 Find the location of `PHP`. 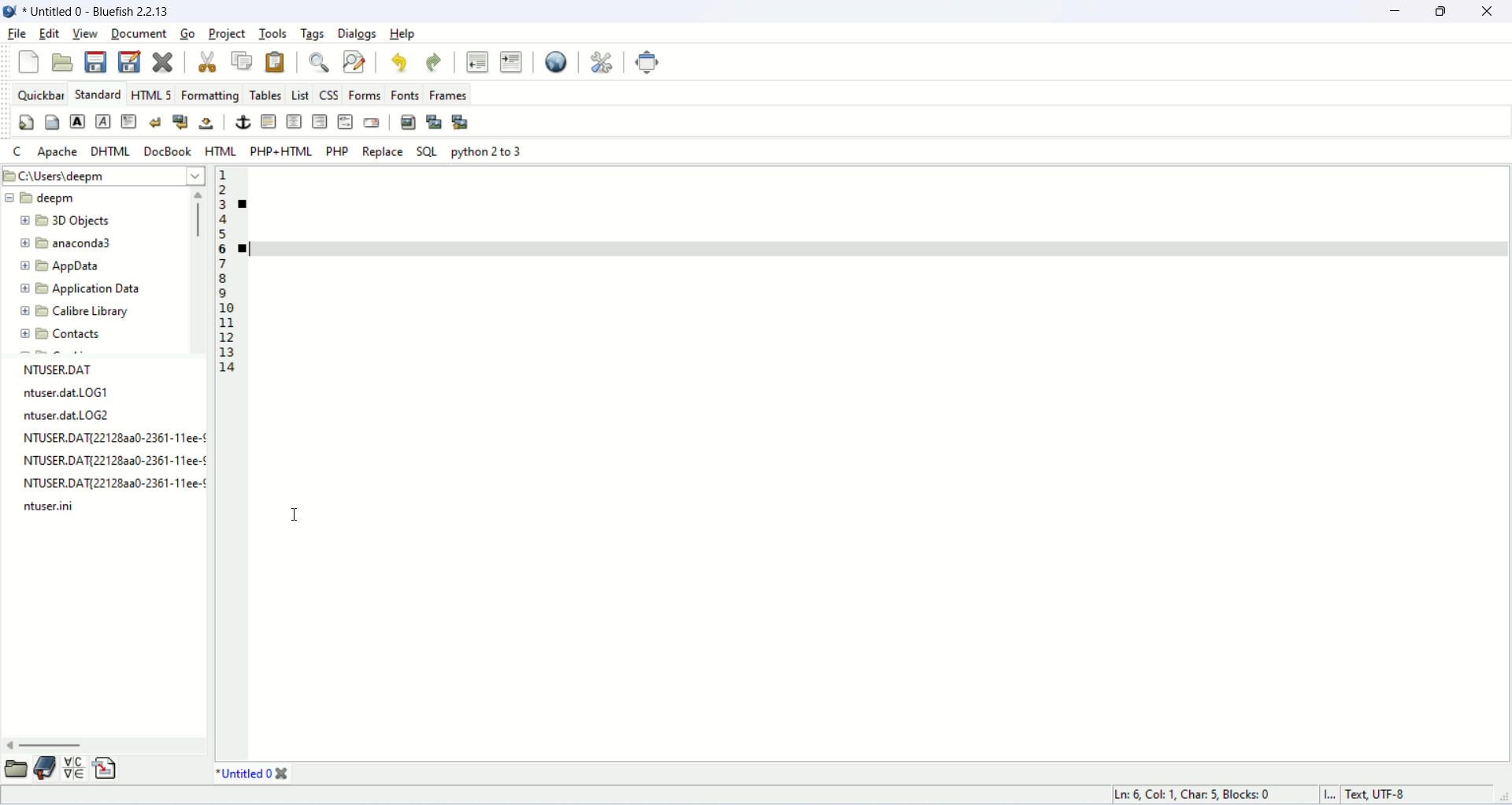

PHP is located at coordinates (340, 154).